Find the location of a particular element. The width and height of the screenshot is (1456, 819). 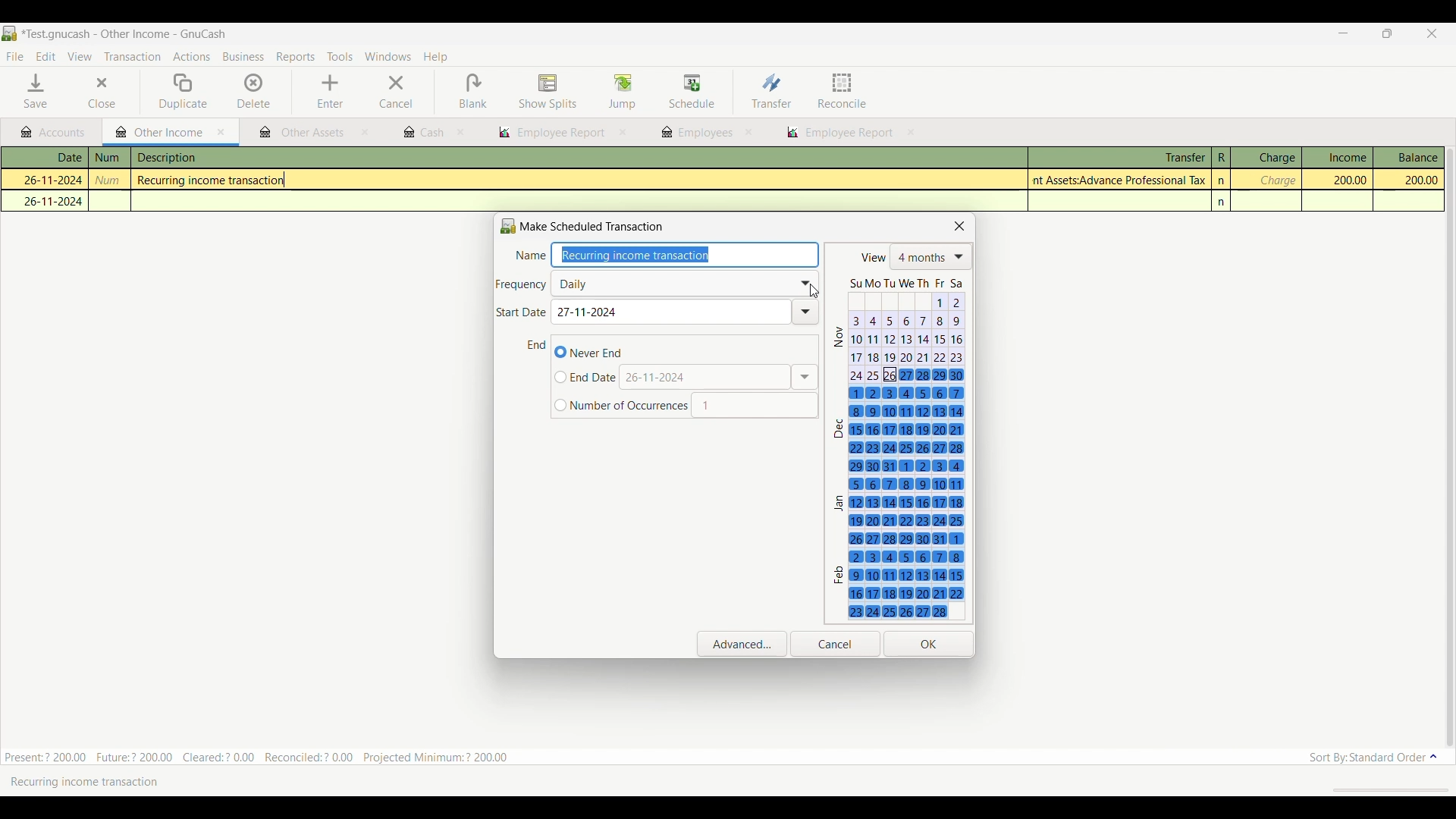

n is located at coordinates (1223, 202).